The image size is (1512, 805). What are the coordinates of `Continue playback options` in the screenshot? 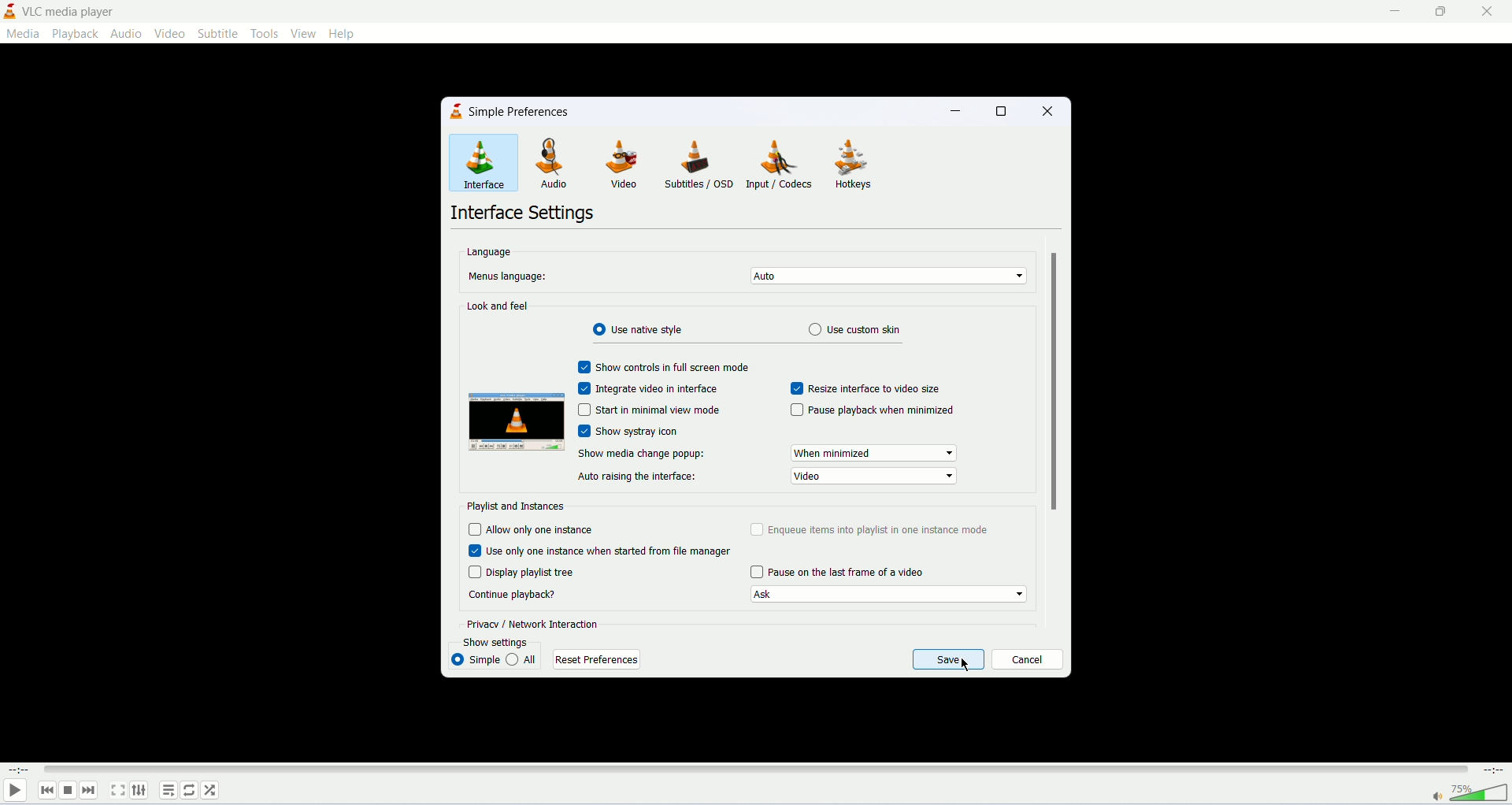 It's located at (889, 595).